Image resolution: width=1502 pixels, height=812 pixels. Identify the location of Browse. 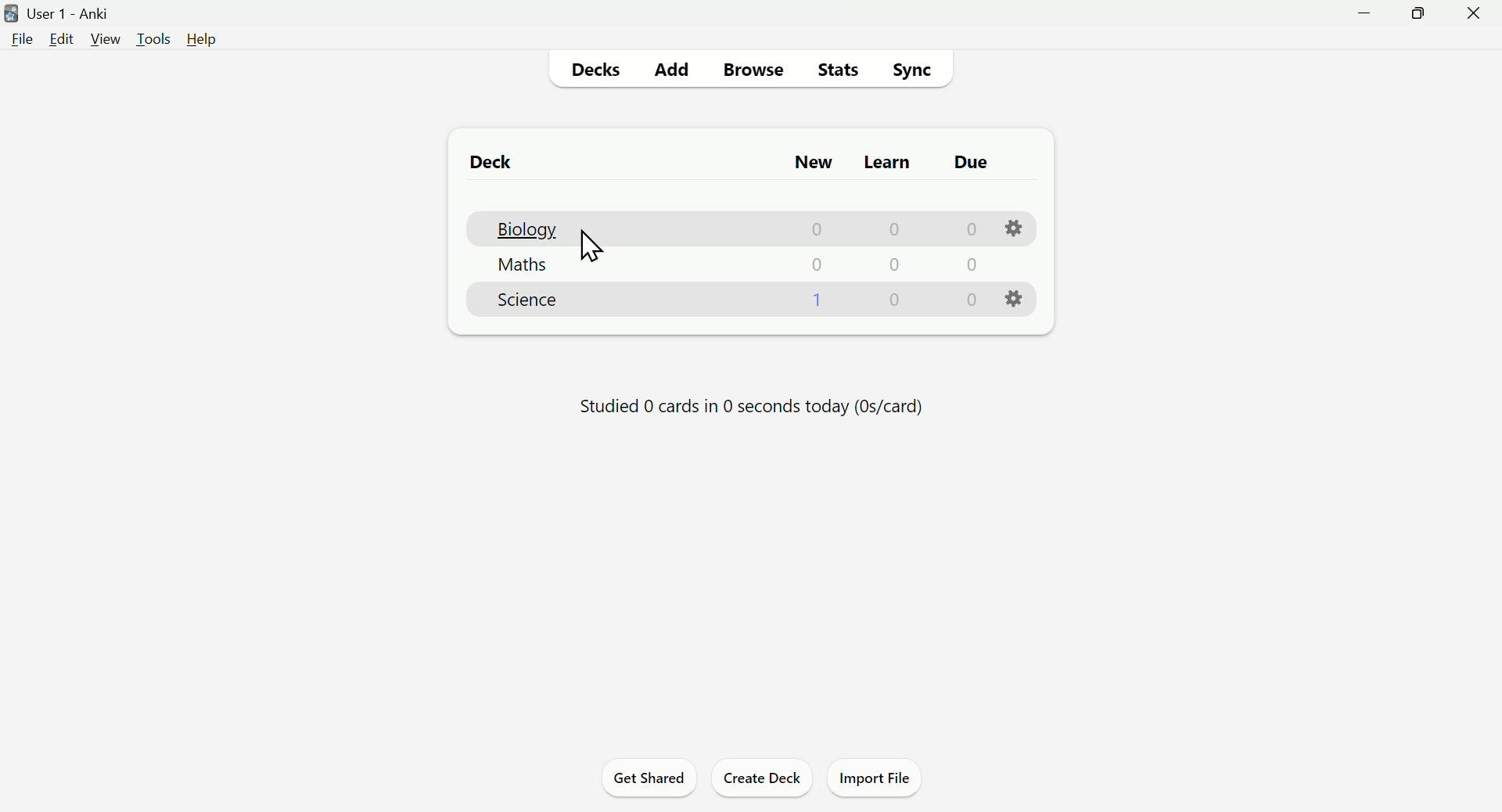
(751, 67).